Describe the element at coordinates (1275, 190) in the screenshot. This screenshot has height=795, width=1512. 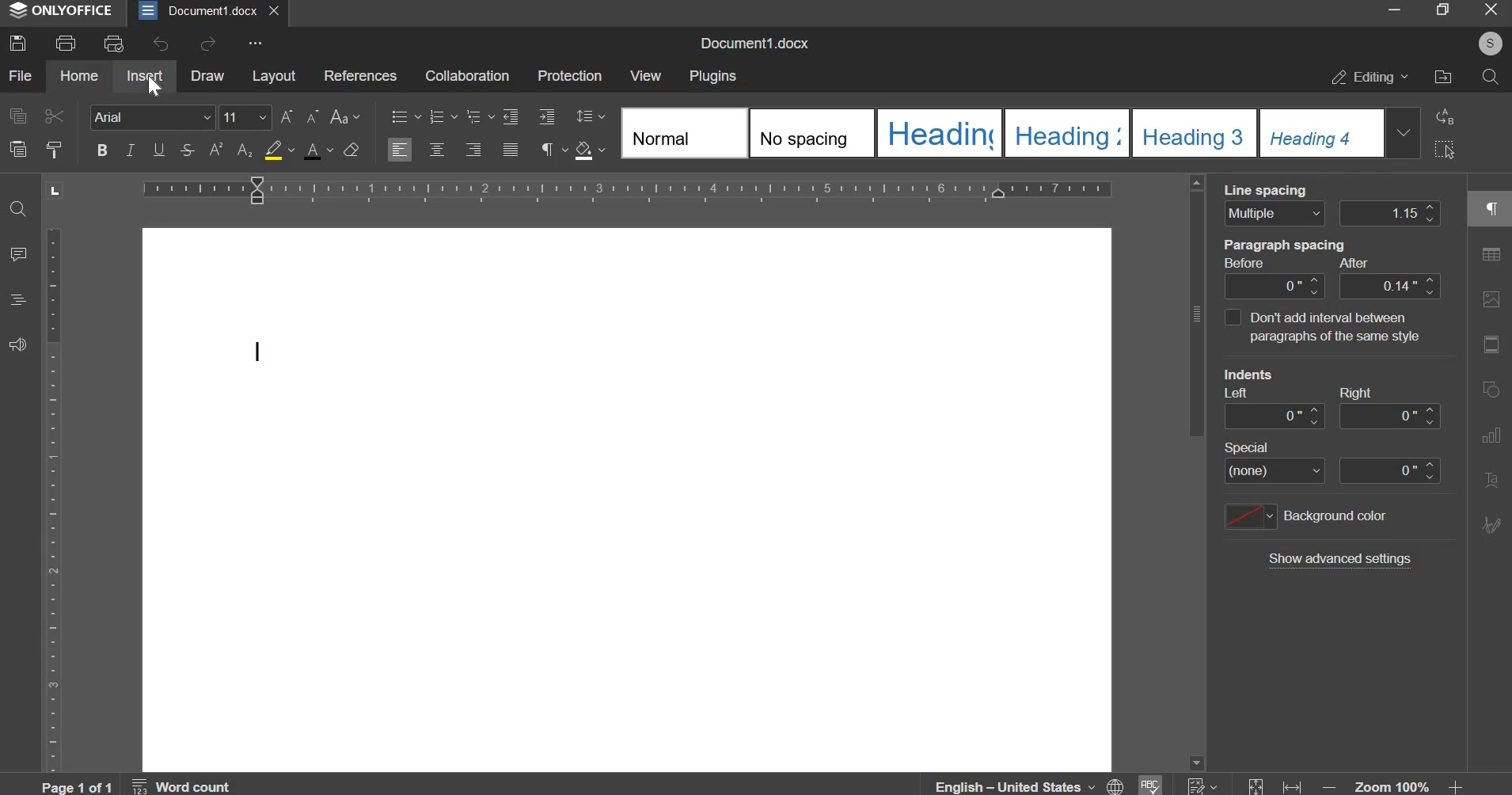
I see `line spacing` at that location.